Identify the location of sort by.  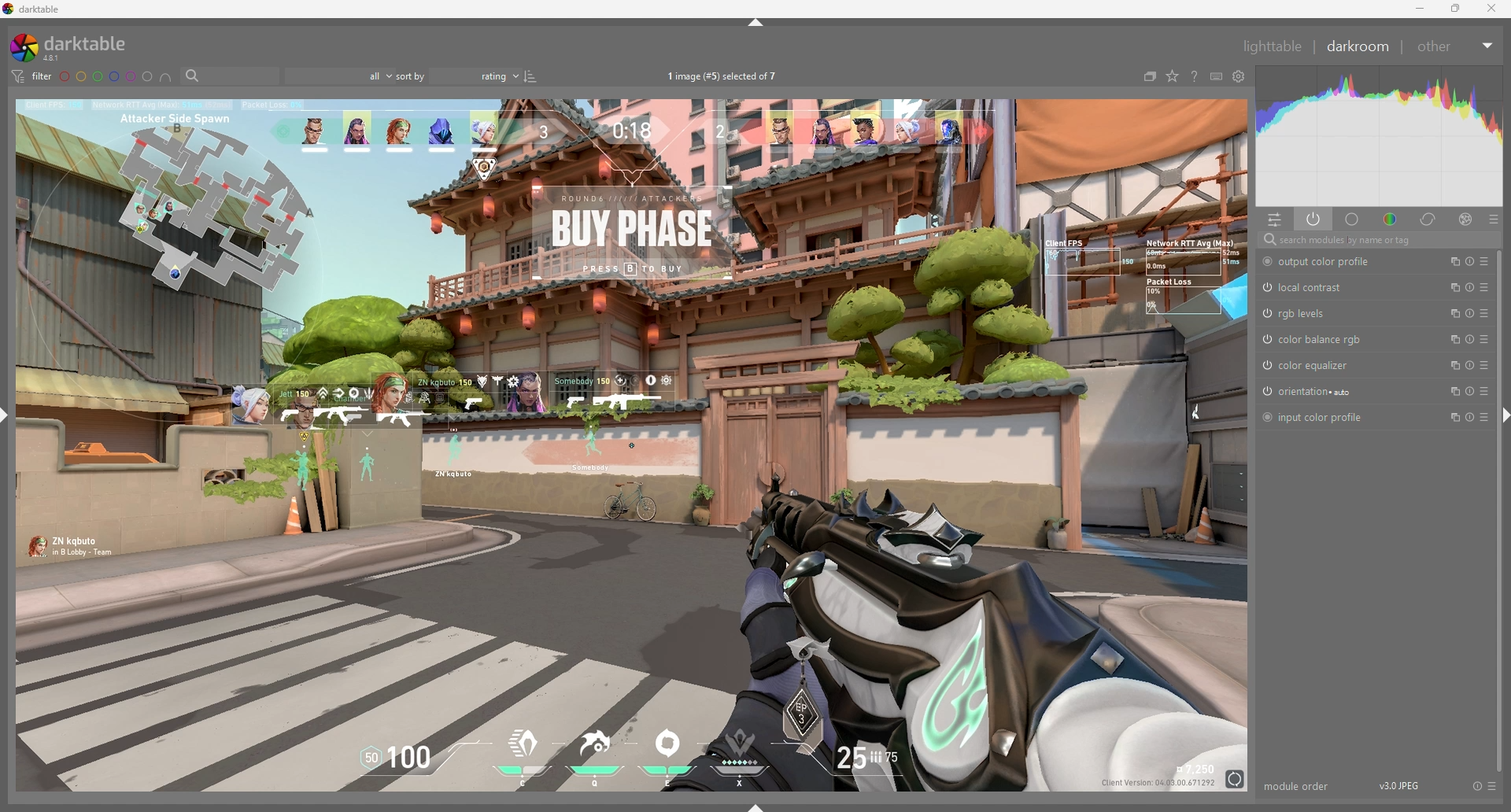
(458, 76).